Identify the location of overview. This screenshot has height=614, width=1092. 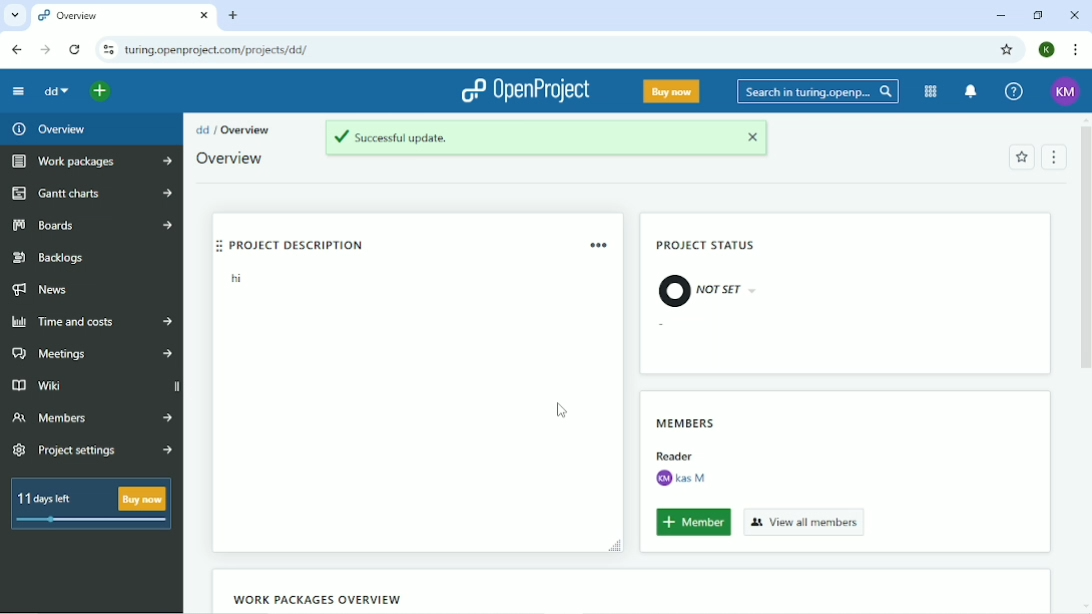
(124, 17).